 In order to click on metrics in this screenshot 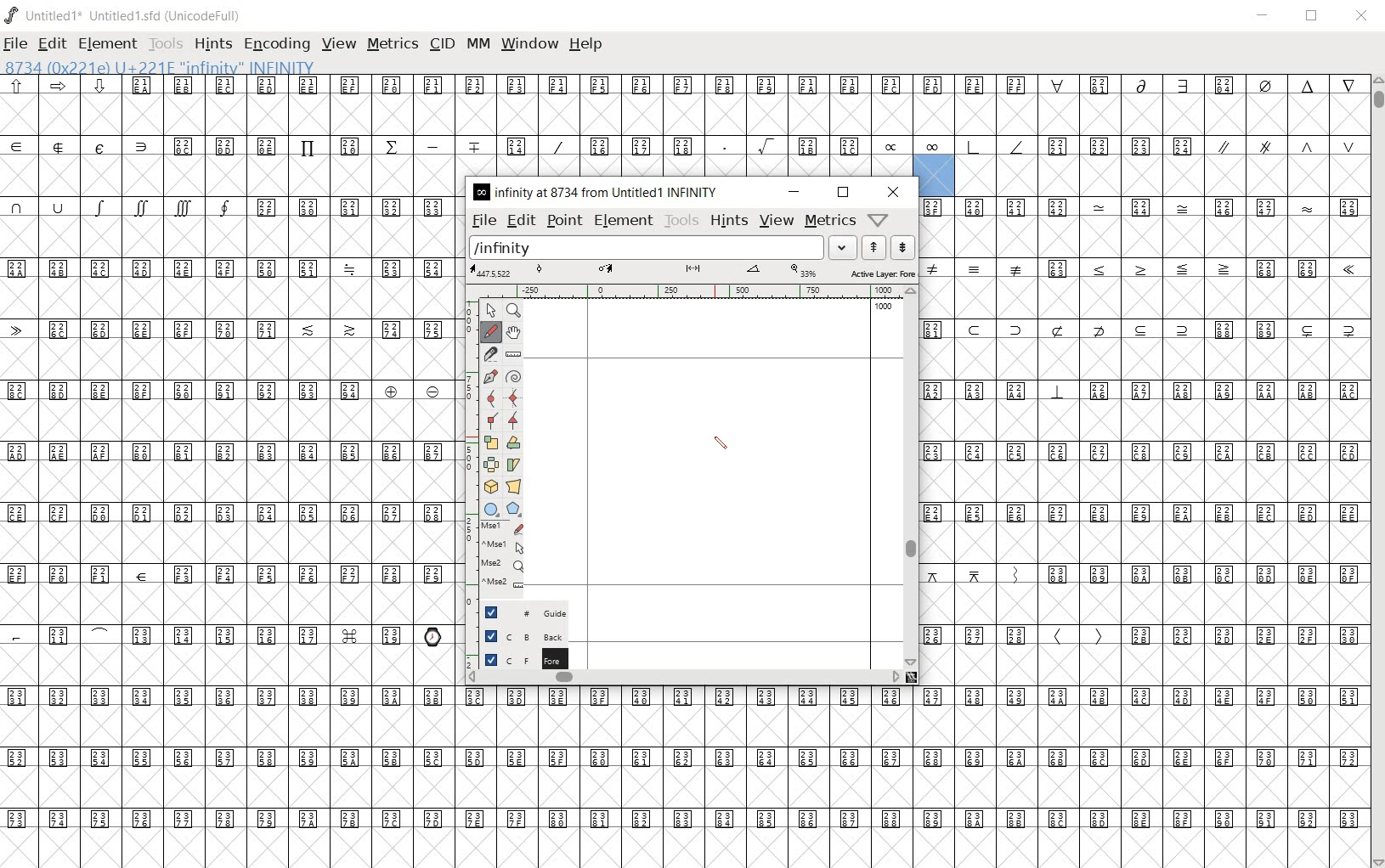, I will do `click(394, 43)`.